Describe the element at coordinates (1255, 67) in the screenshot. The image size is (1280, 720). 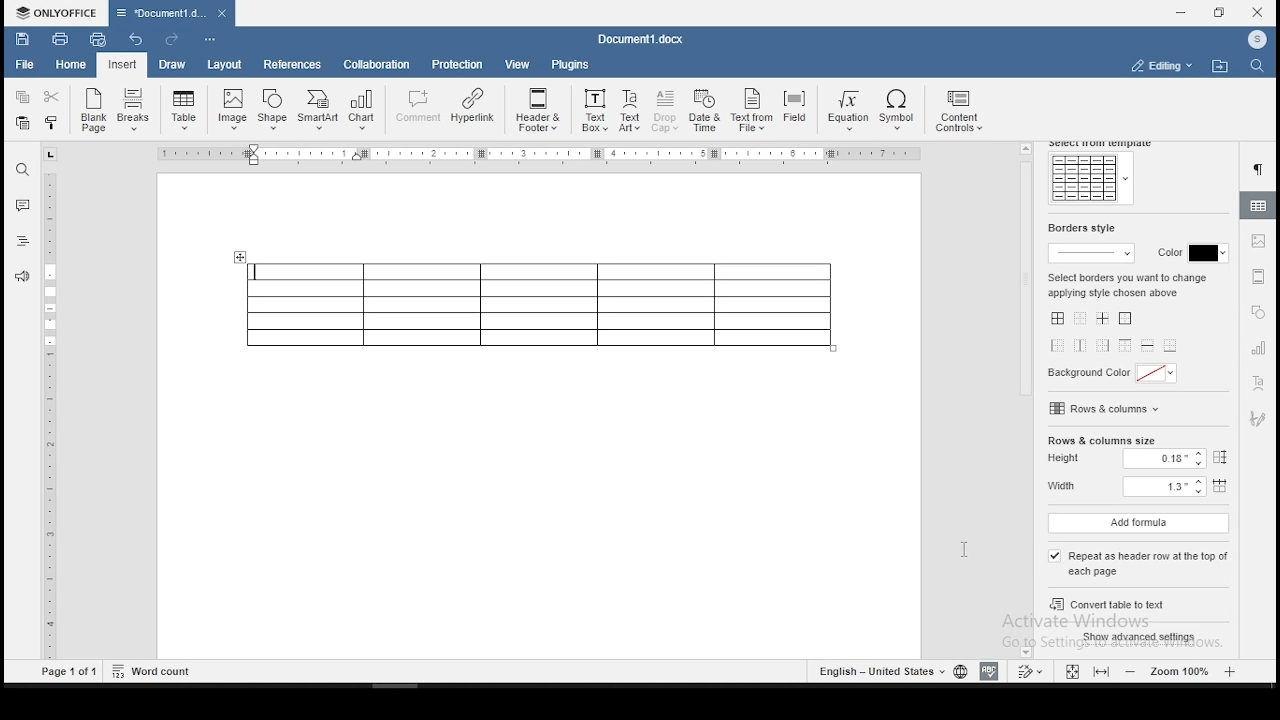
I see `find` at that location.